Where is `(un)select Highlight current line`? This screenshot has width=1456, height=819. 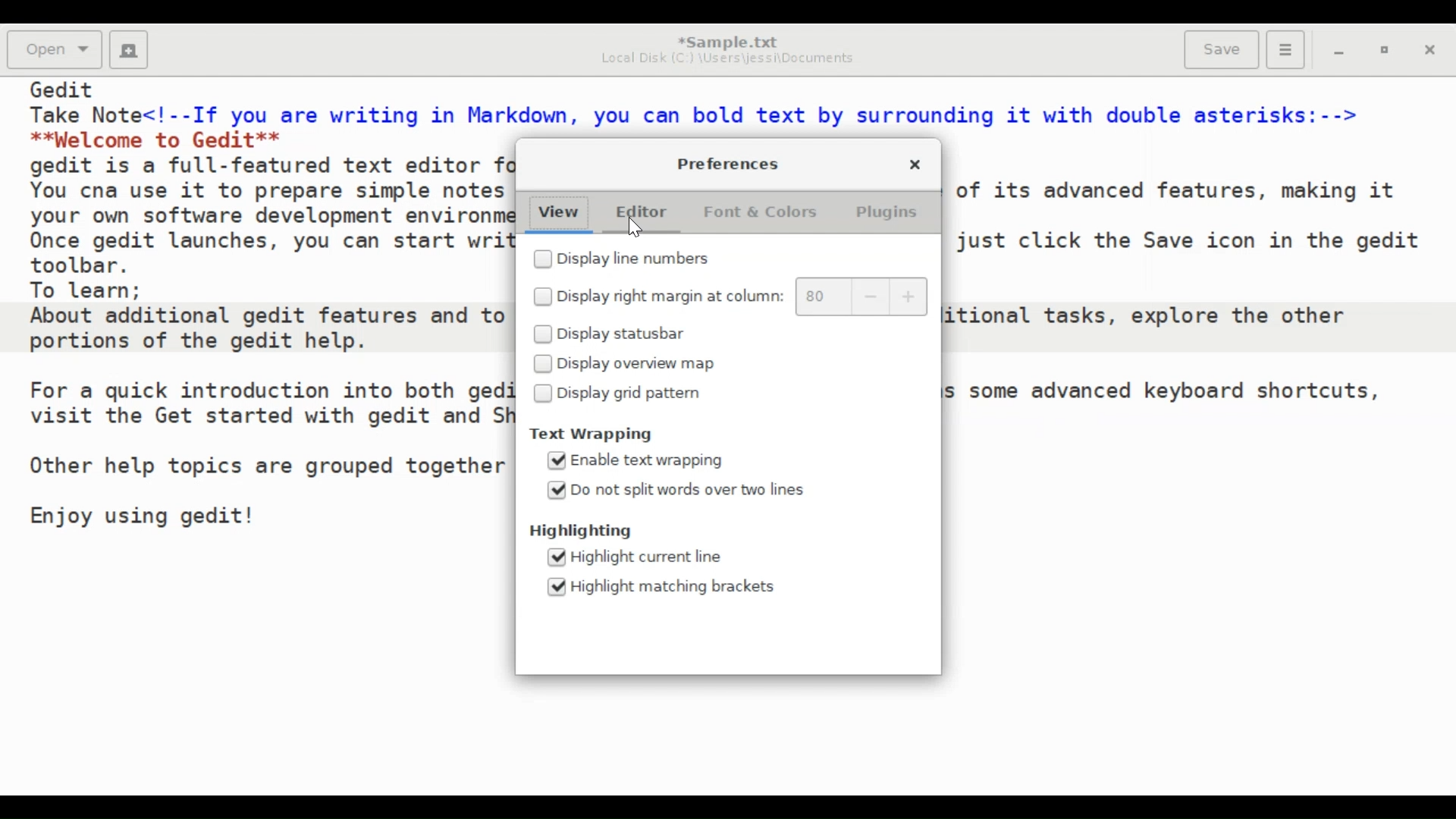 (un)select Highlight current line is located at coordinates (648, 557).